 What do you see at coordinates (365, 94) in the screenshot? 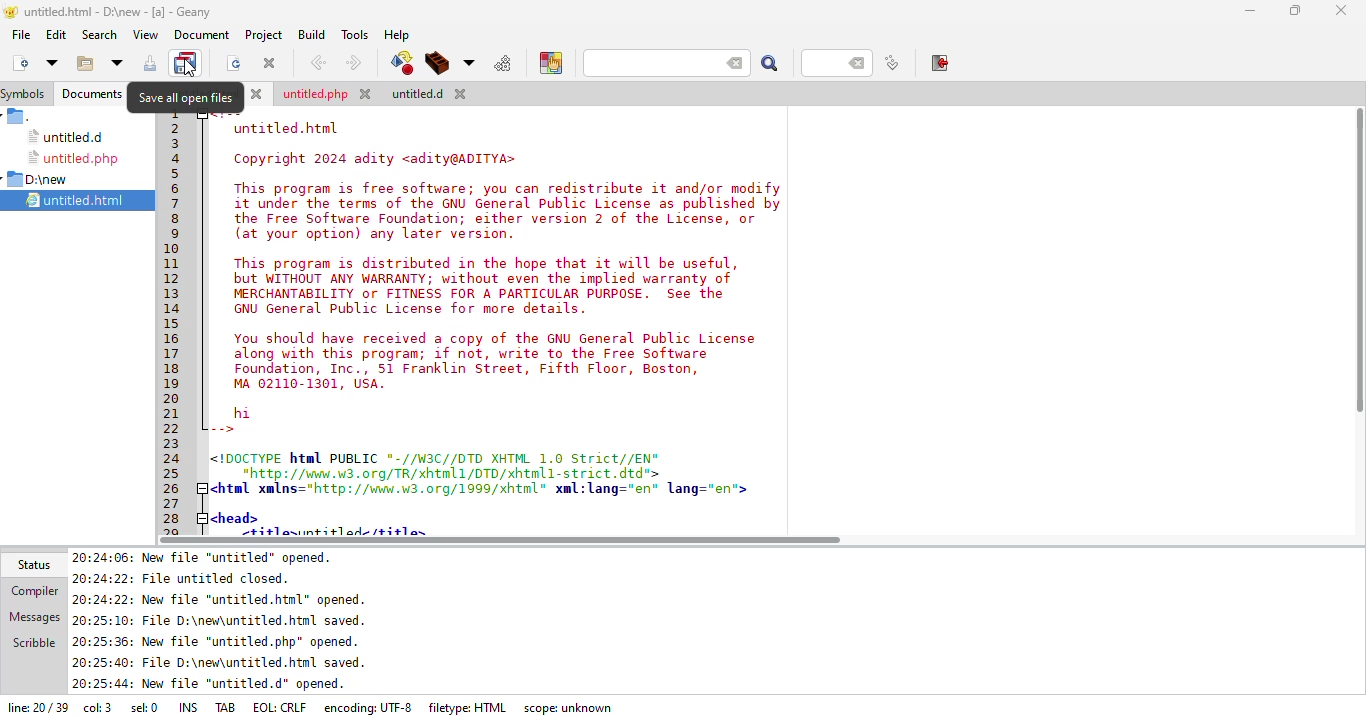
I see `close` at bounding box center [365, 94].